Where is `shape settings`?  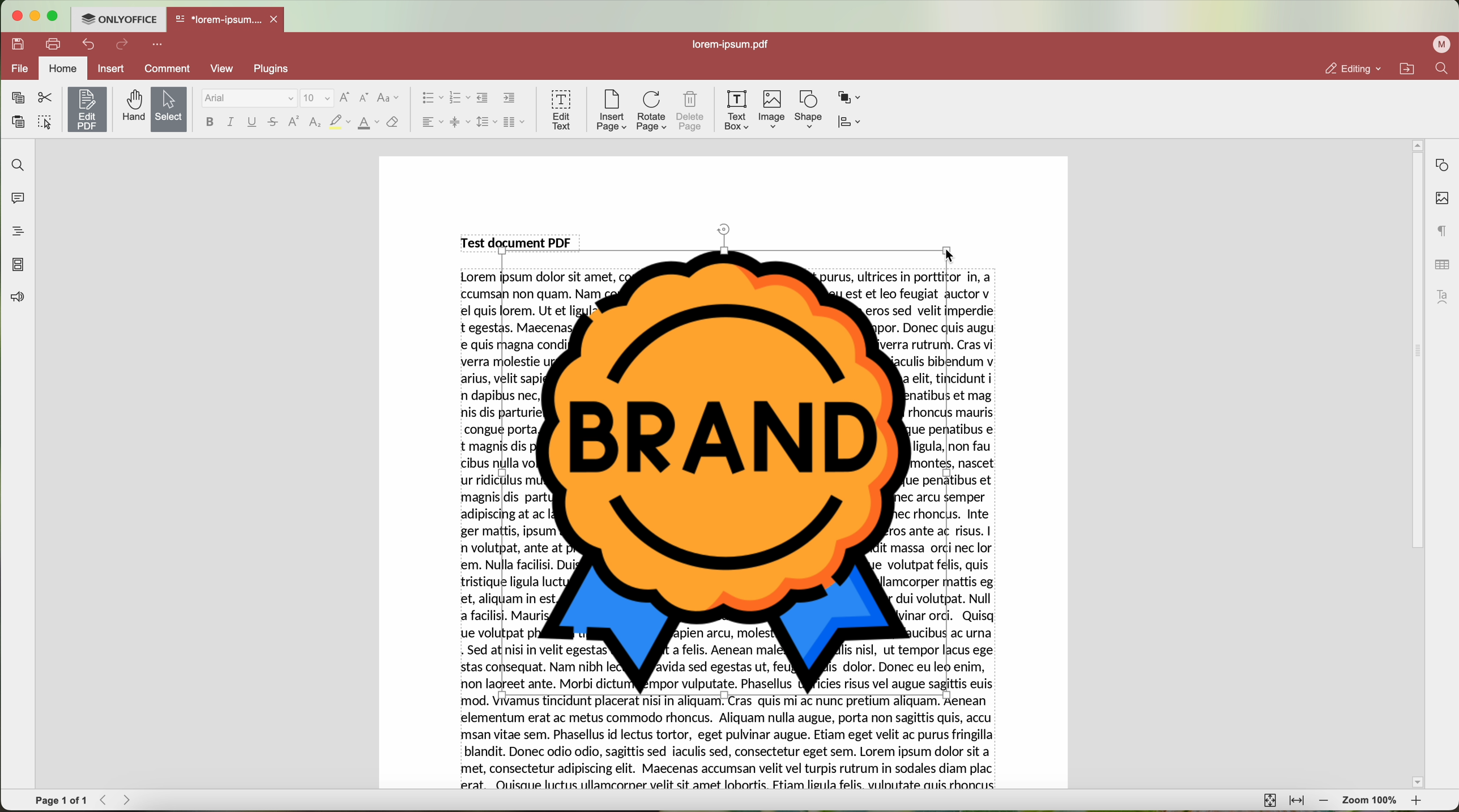
shape settings is located at coordinates (1441, 165).